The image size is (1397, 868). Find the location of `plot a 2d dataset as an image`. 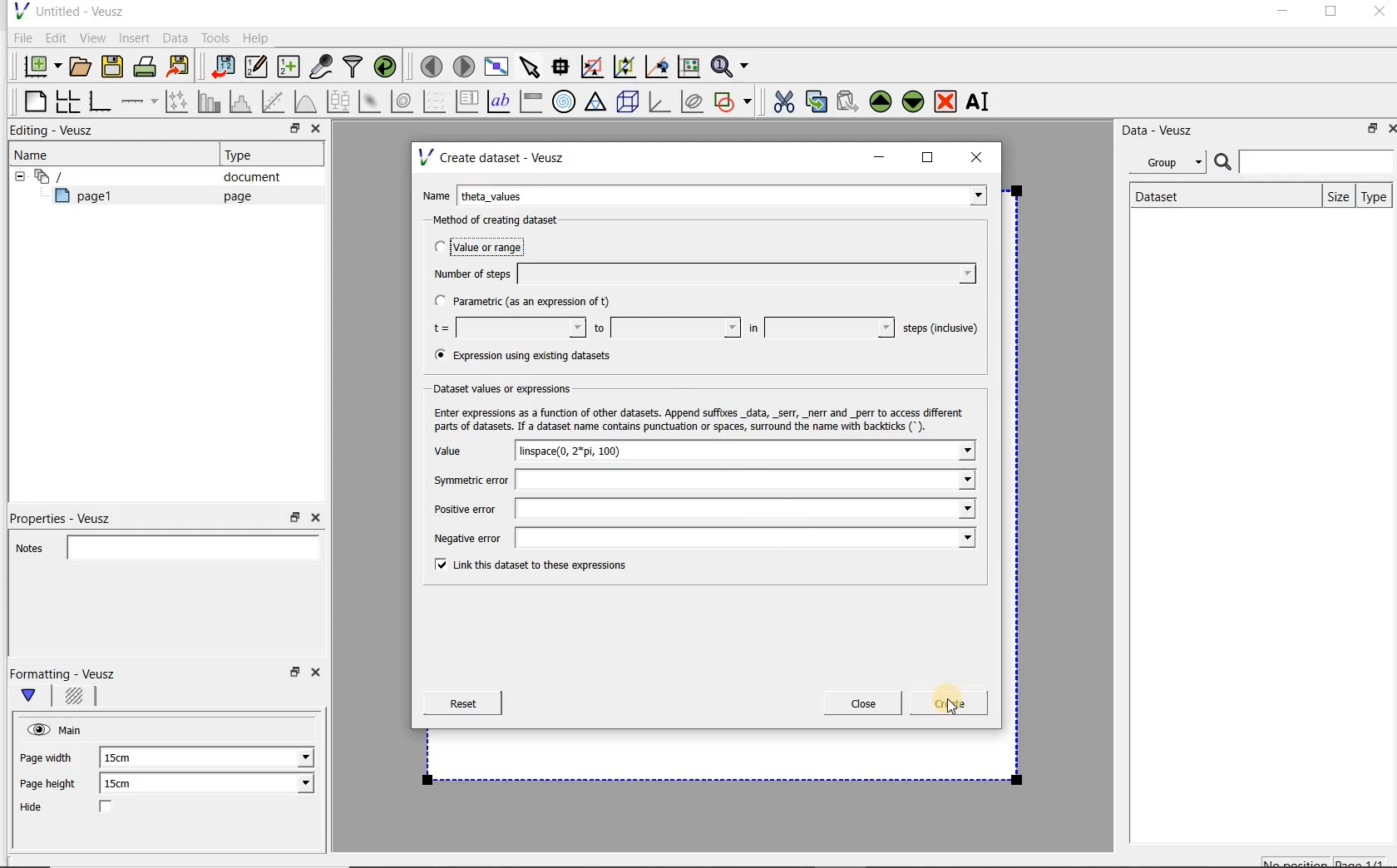

plot a 2d dataset as an image is located at coordinates (372, 102).